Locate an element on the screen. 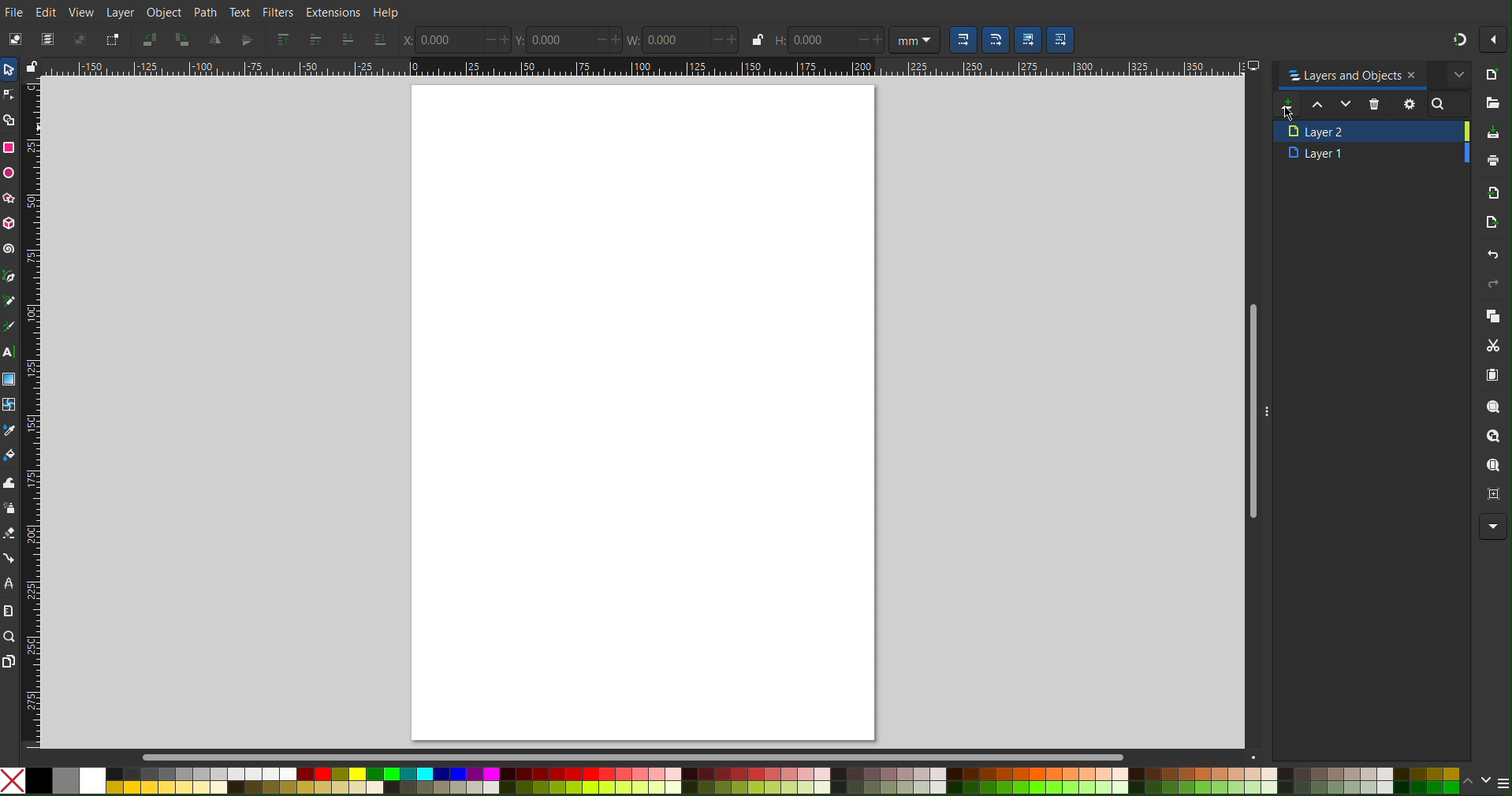 The width and height of the screenshot is (1512, 796). Layers and Objects is located at coordinates (1371, 74).